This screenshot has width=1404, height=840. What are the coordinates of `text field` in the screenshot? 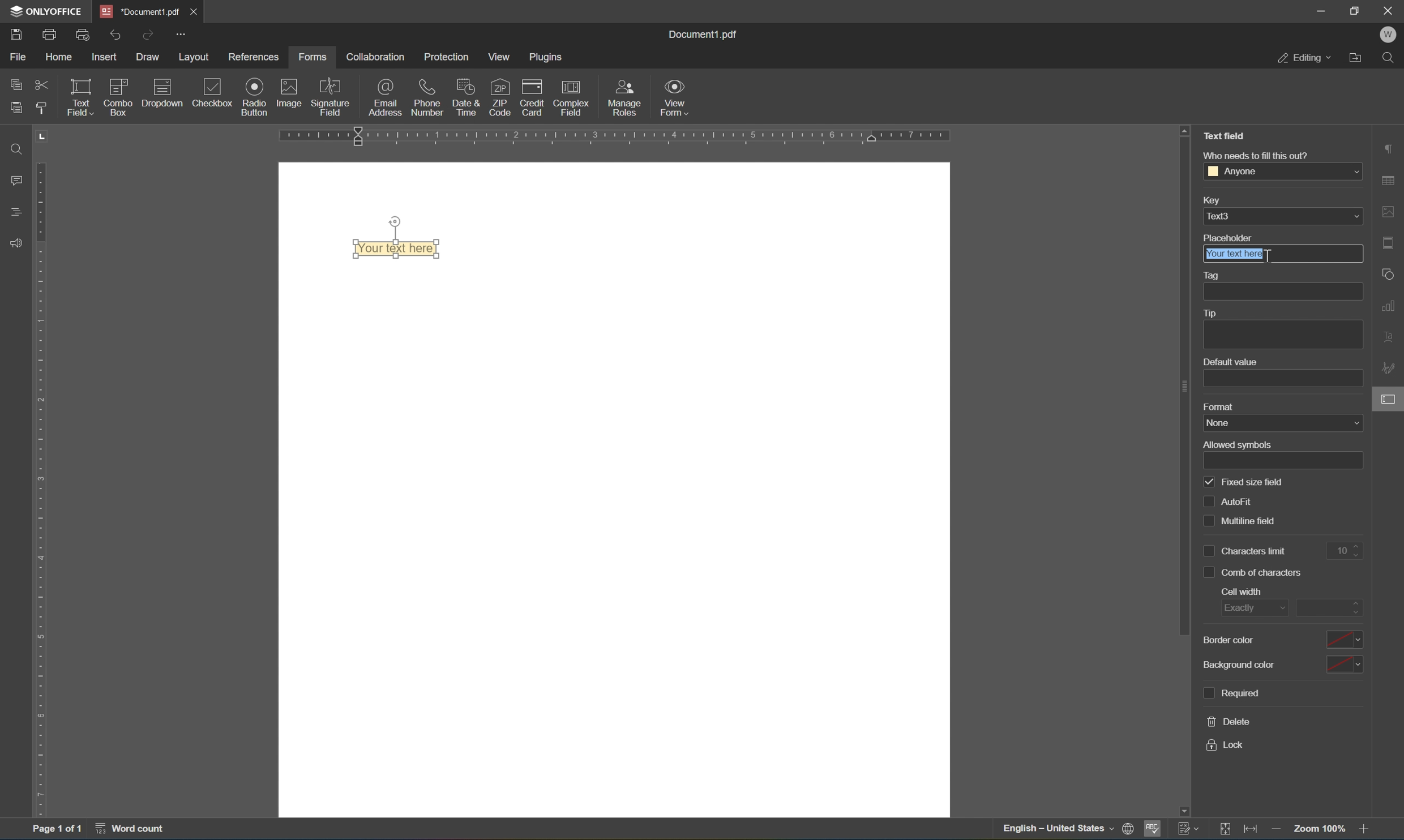 It's located at (80, 96).